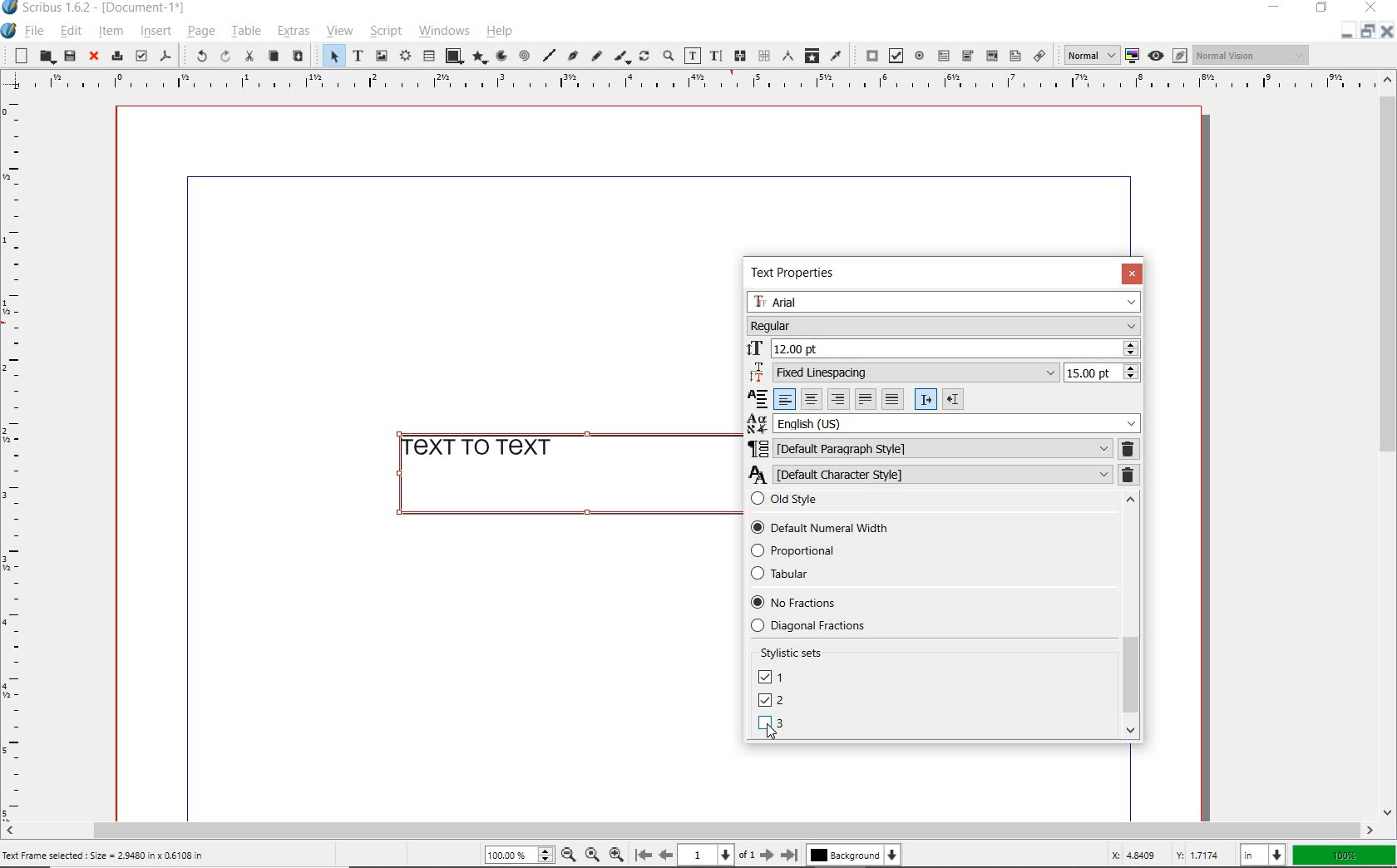 This screenshot has height=868, width=1397. I want to click on Left align, so click(786, 399).